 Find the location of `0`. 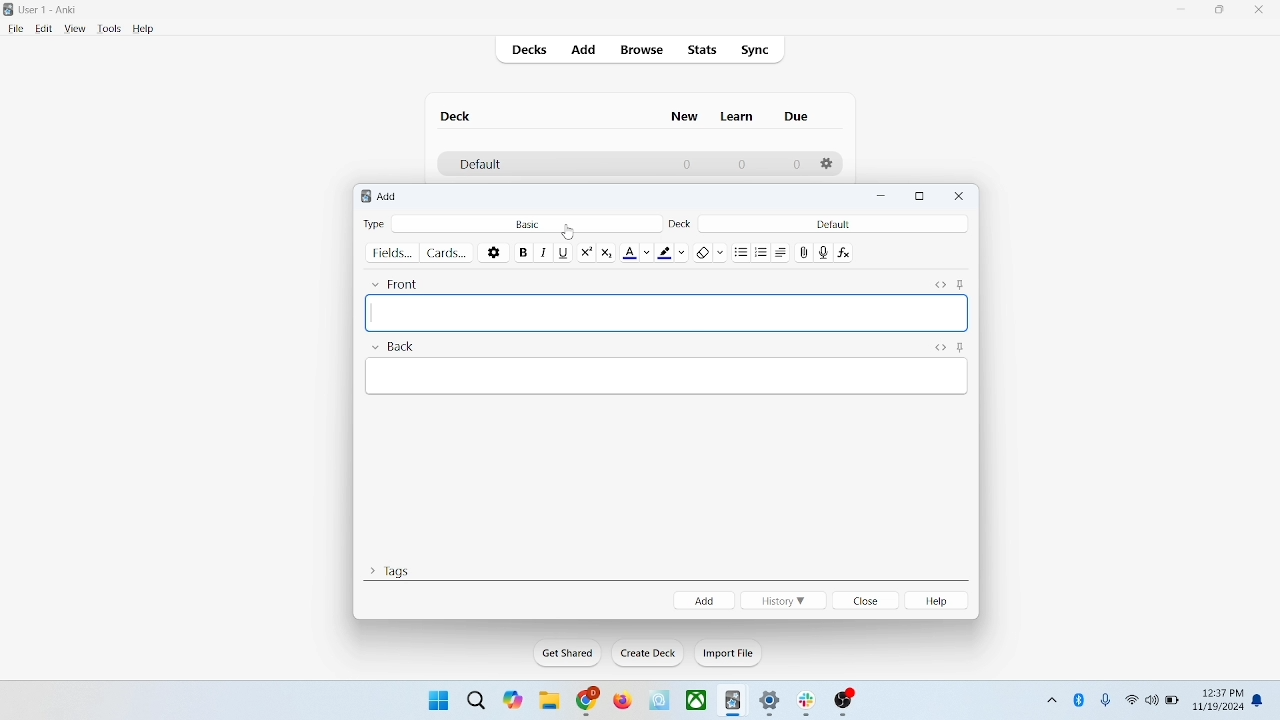

0 is located at coordinates (688, 164).